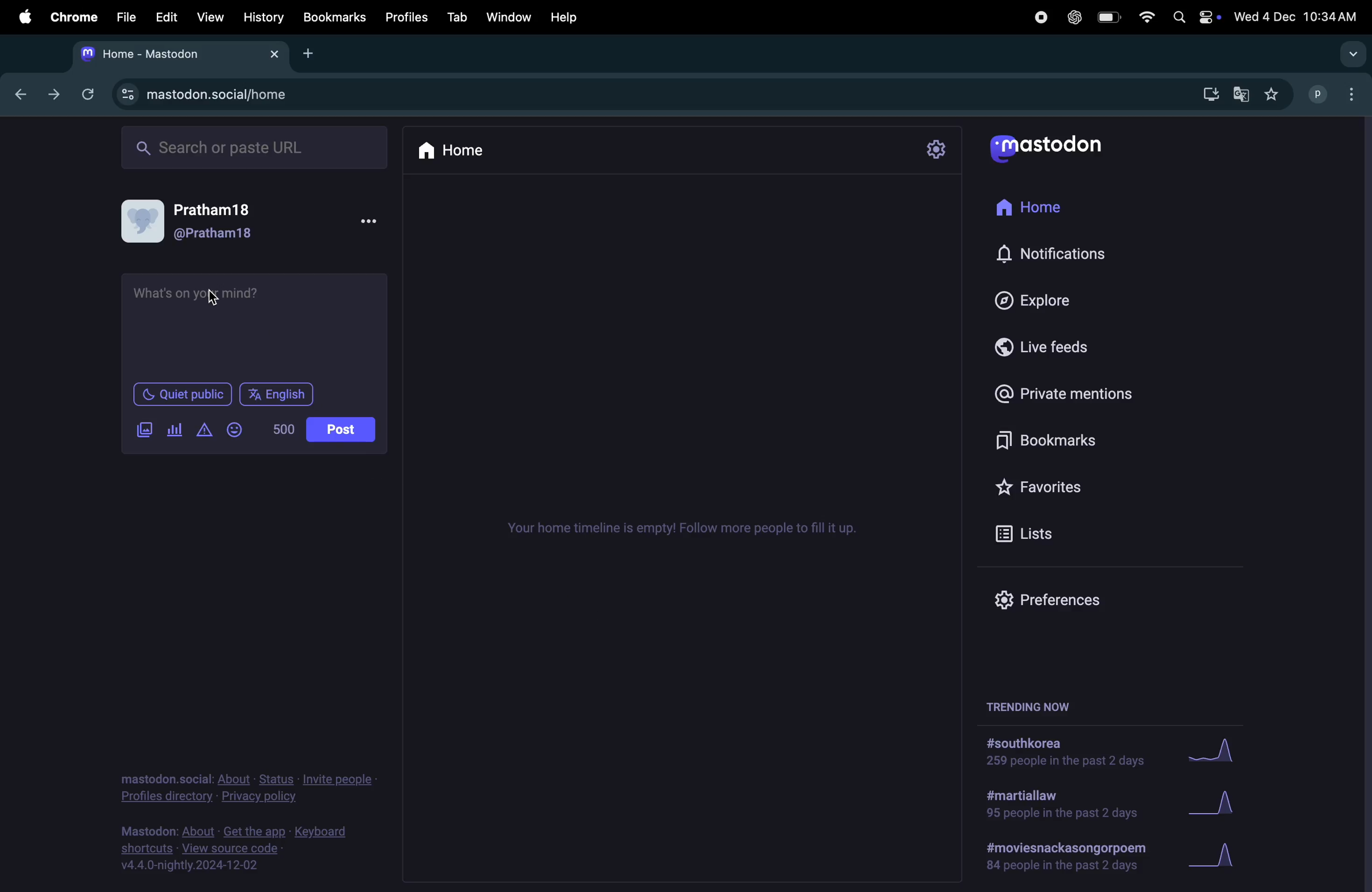  What do you see at coordinates (1060, 148) in the screenshot?
I see `Mastodon` at bounding box center [1060, 148].